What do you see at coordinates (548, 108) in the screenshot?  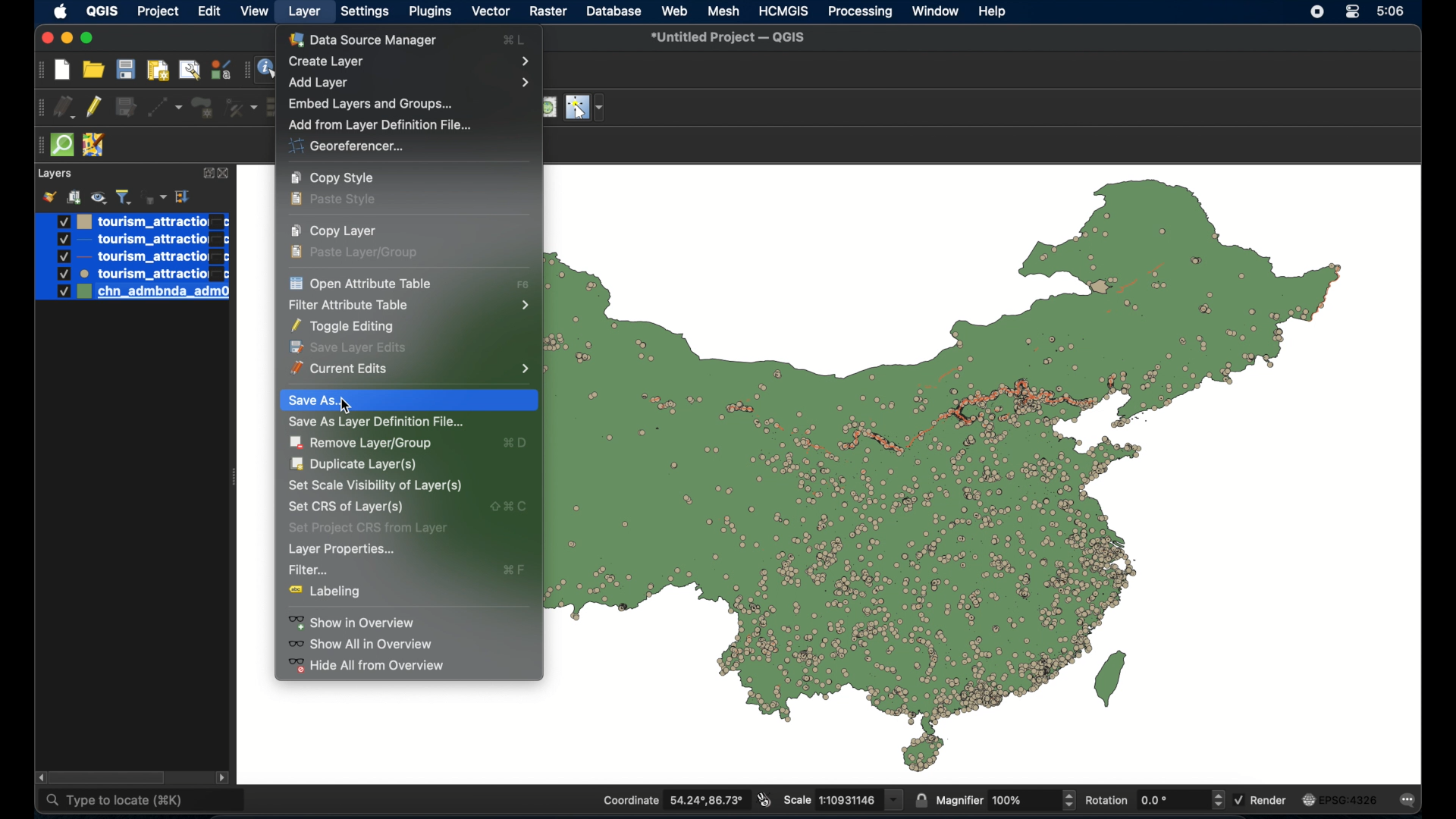 I see `osm place search` at bounding box center [548, 108].